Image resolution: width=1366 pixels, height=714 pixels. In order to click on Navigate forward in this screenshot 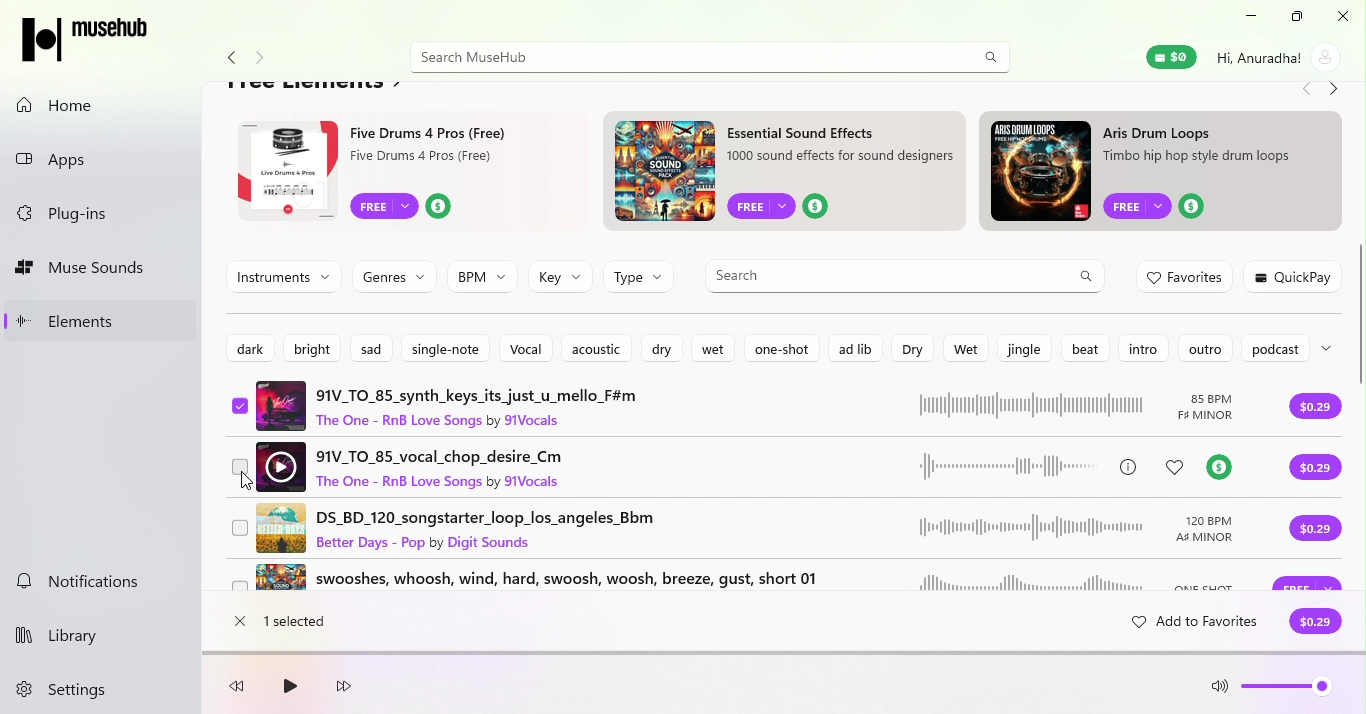, I will do `click(1335, 91)`.